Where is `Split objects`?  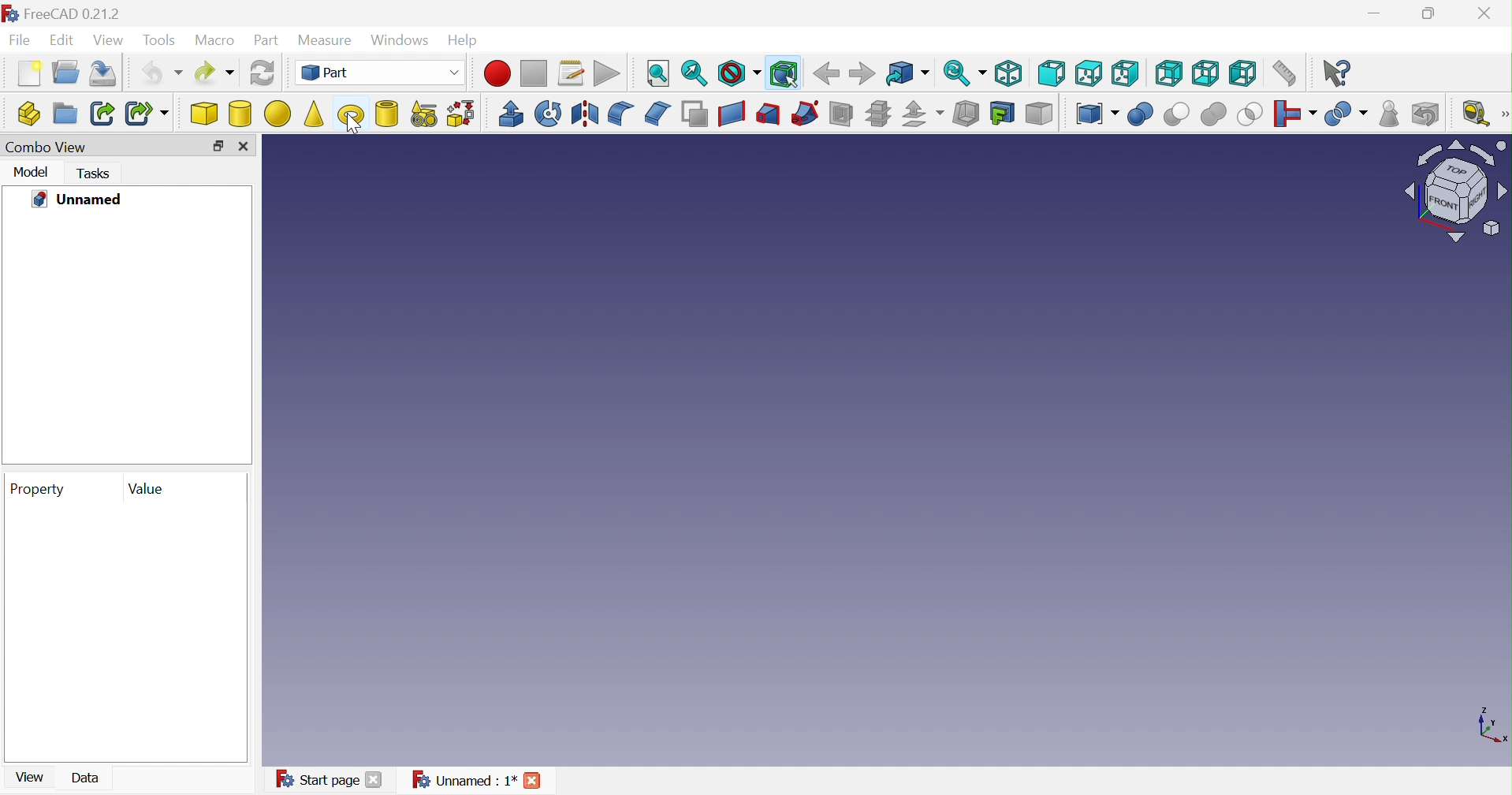 Split objects is located at coordinates (1346, 118).